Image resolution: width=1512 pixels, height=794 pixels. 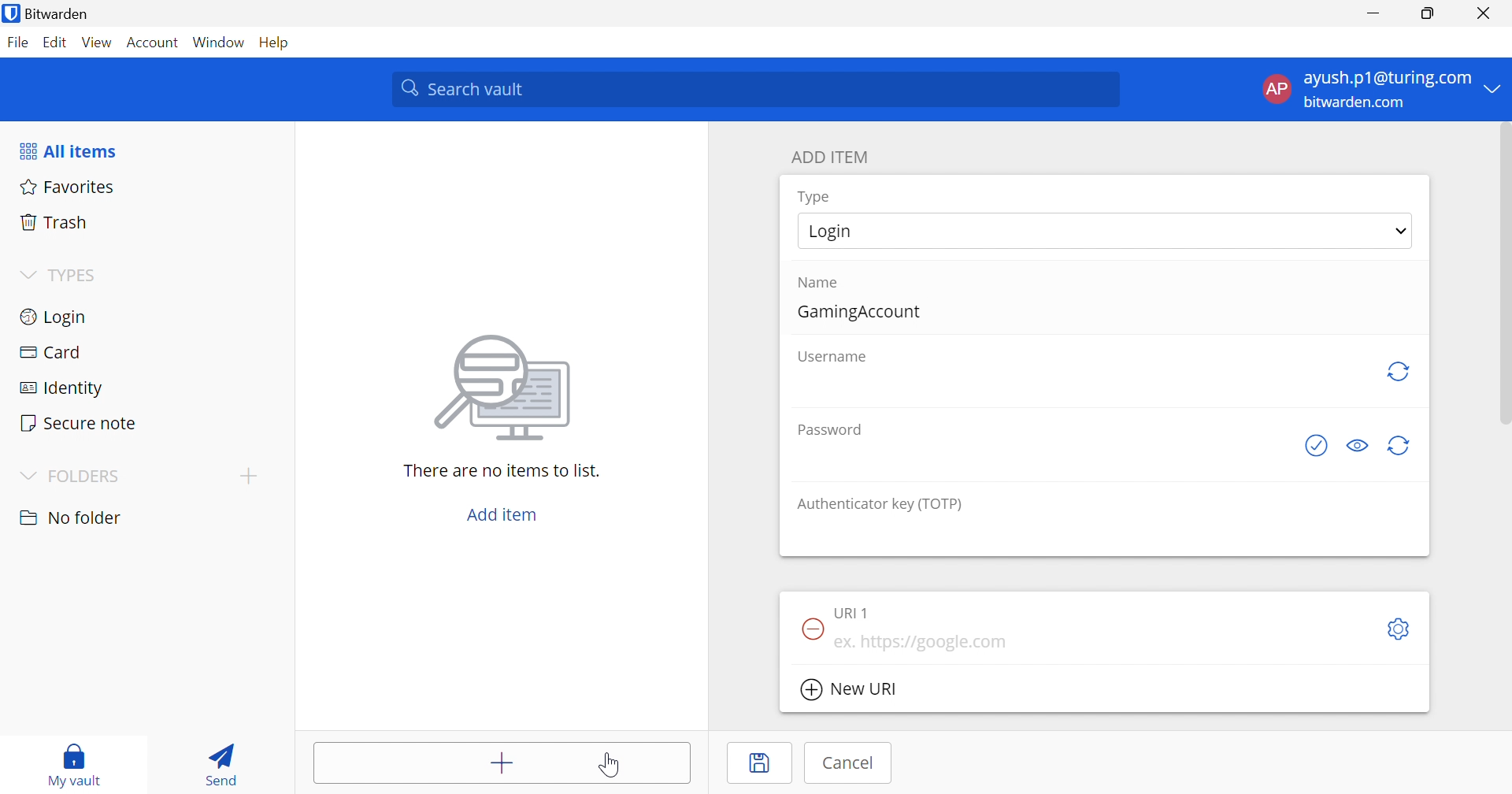 What do you see at coordinates (220, 762) in the screenshot?
I see `Send` at bounding box center [220, 762].